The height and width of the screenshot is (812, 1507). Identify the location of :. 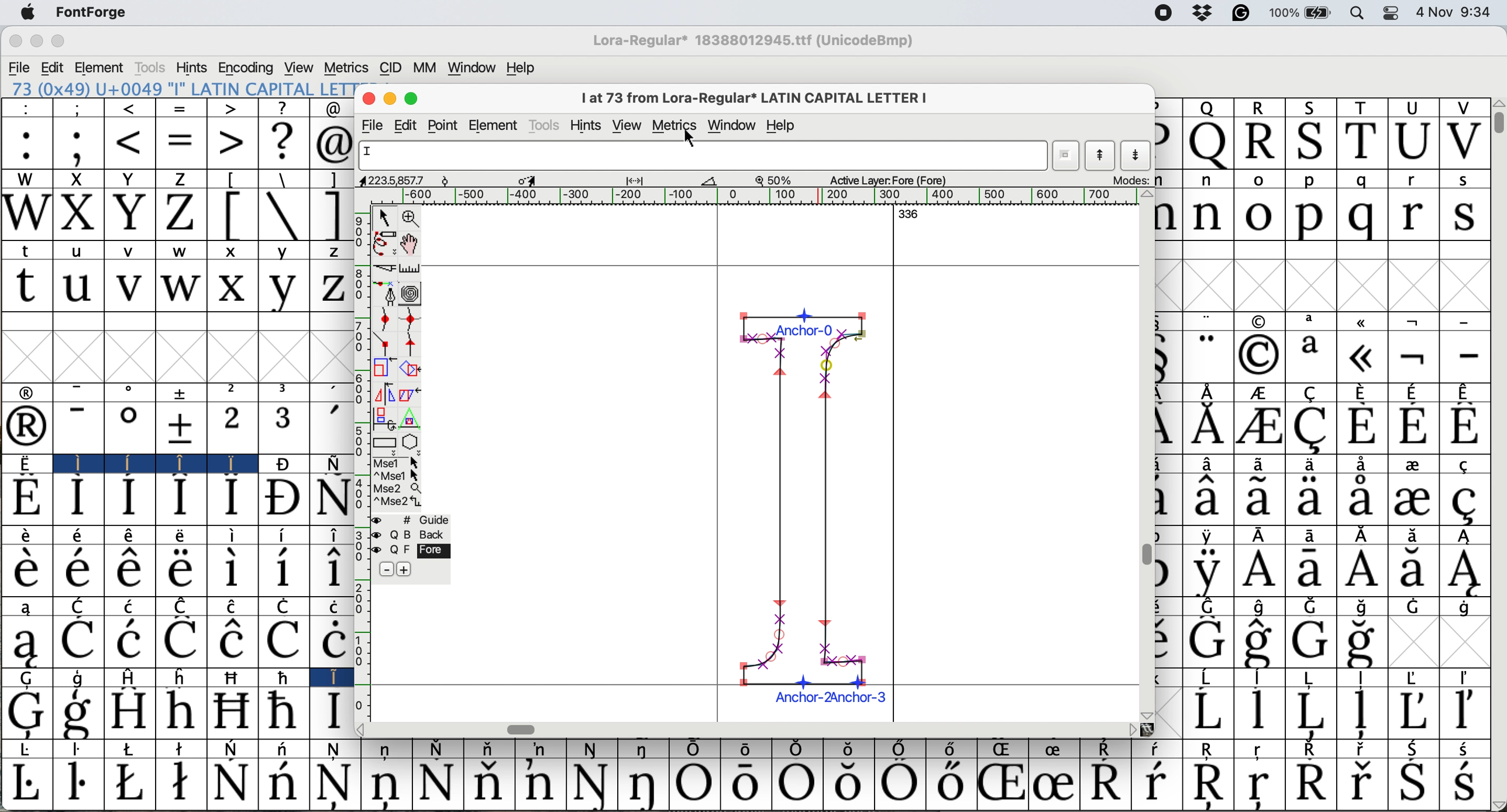
(26, 143).